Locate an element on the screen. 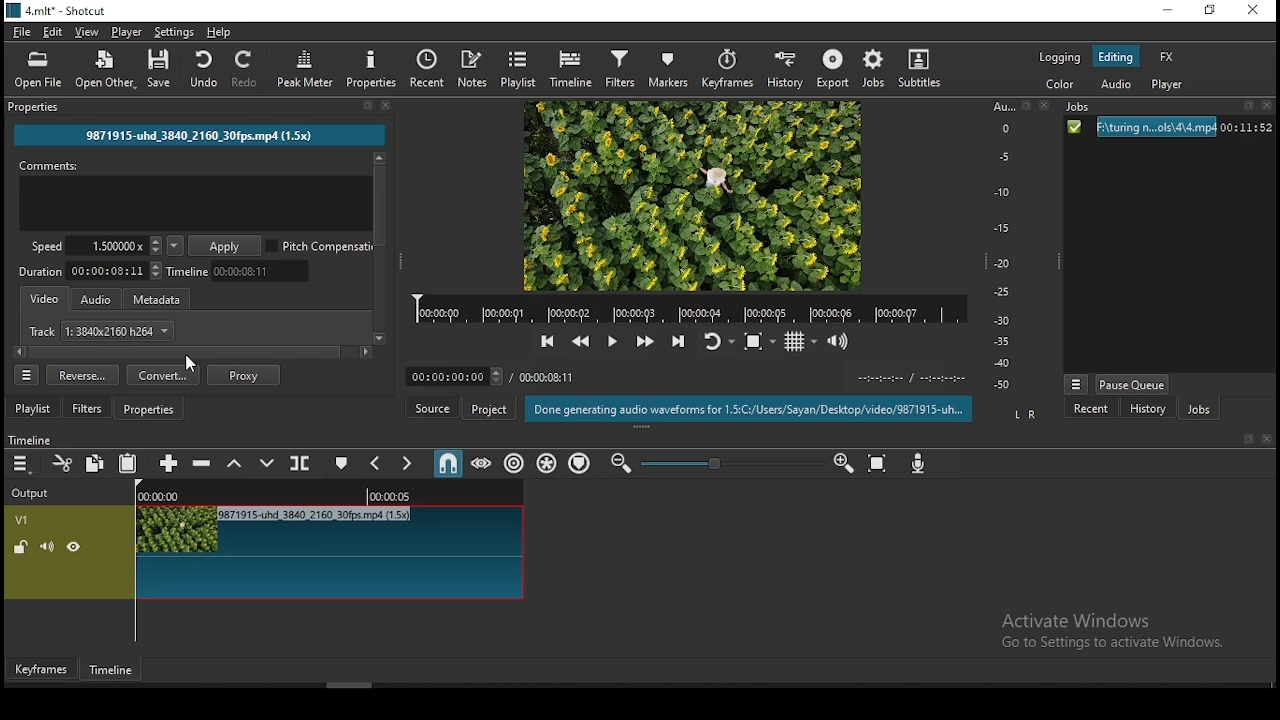  playlist is located at coordinates (33, 407).